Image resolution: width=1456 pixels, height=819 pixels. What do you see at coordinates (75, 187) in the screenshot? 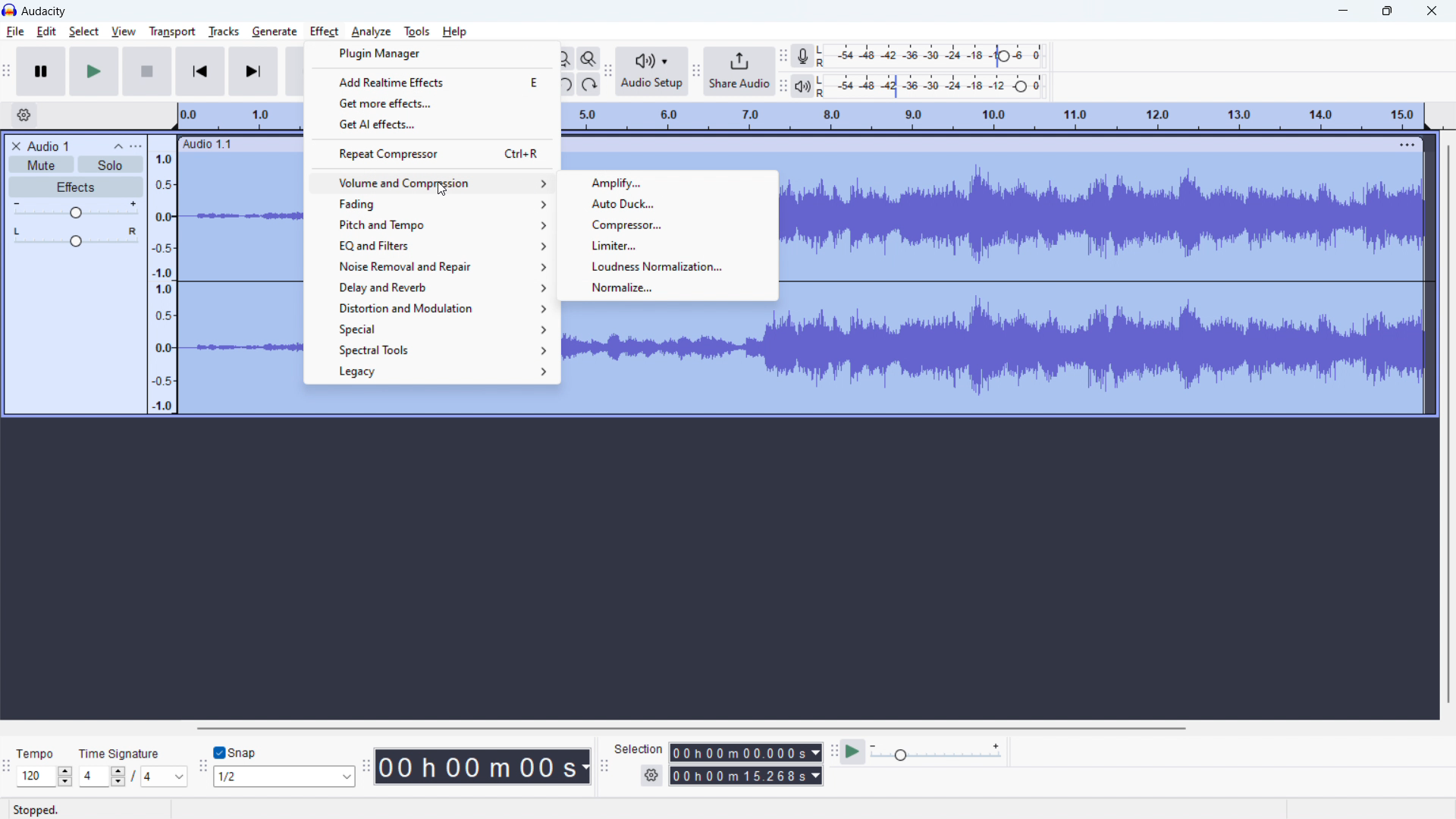
I see `effects` at bounding box center [75, 187].